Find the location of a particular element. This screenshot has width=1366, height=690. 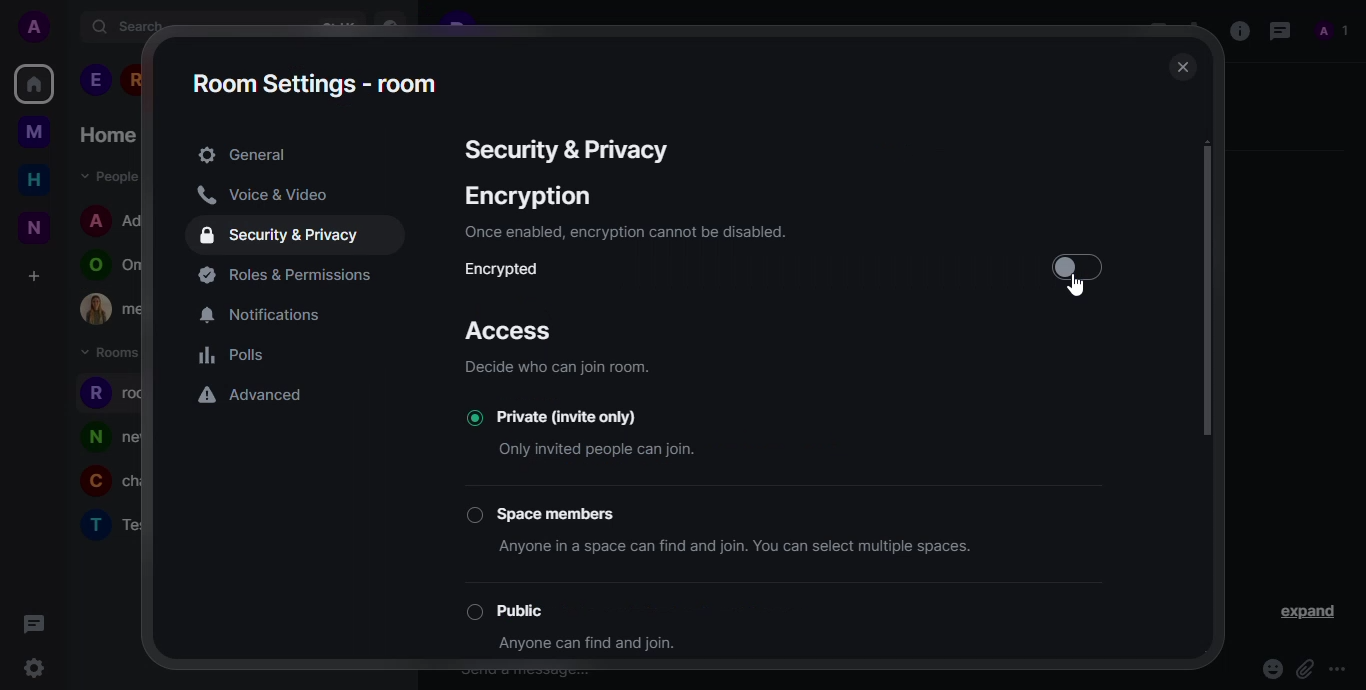

selected is located at coordinates (466, 418).